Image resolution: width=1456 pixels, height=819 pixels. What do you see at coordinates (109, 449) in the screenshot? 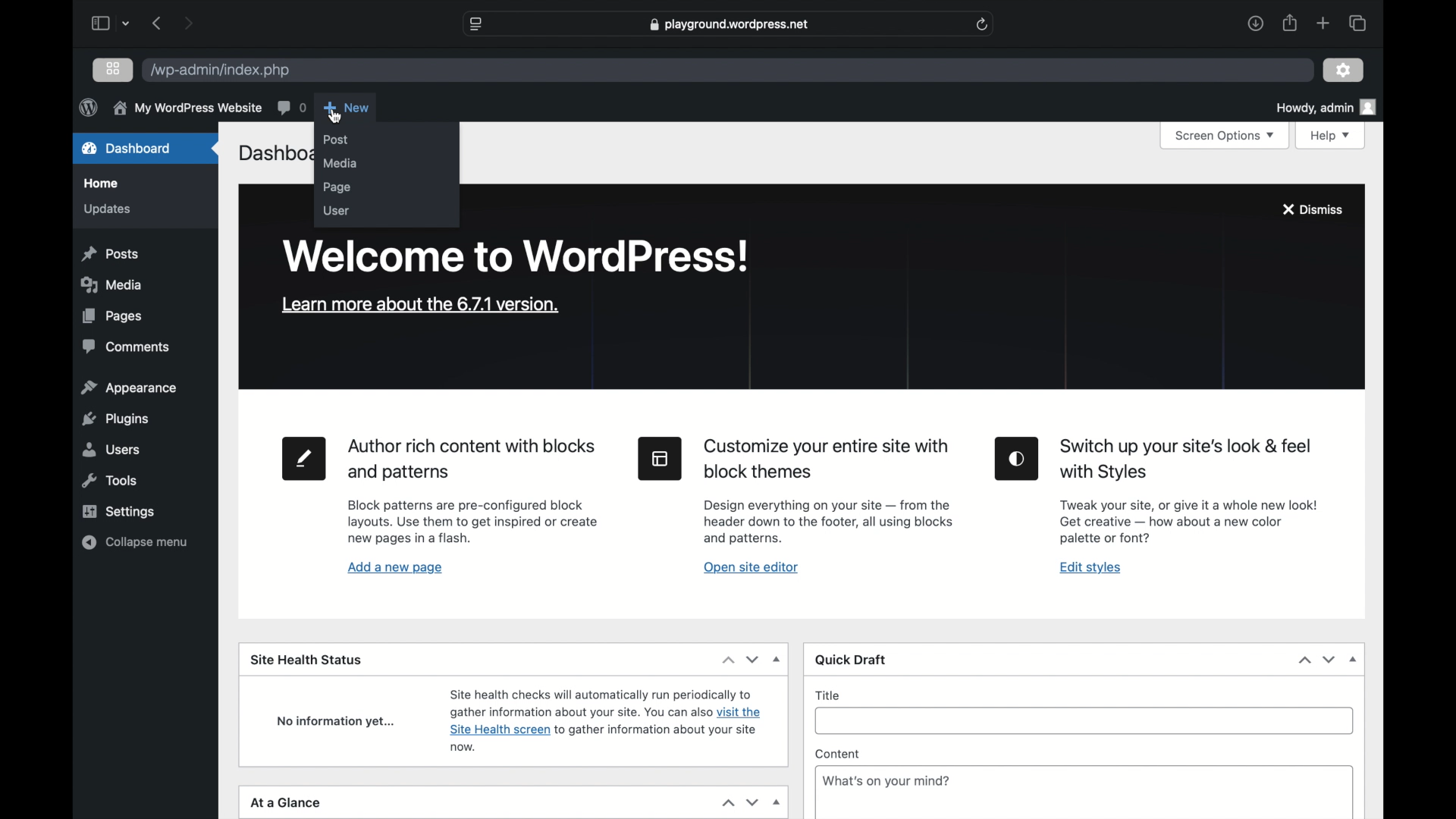
I see `users` at bounding box center [109, 449].